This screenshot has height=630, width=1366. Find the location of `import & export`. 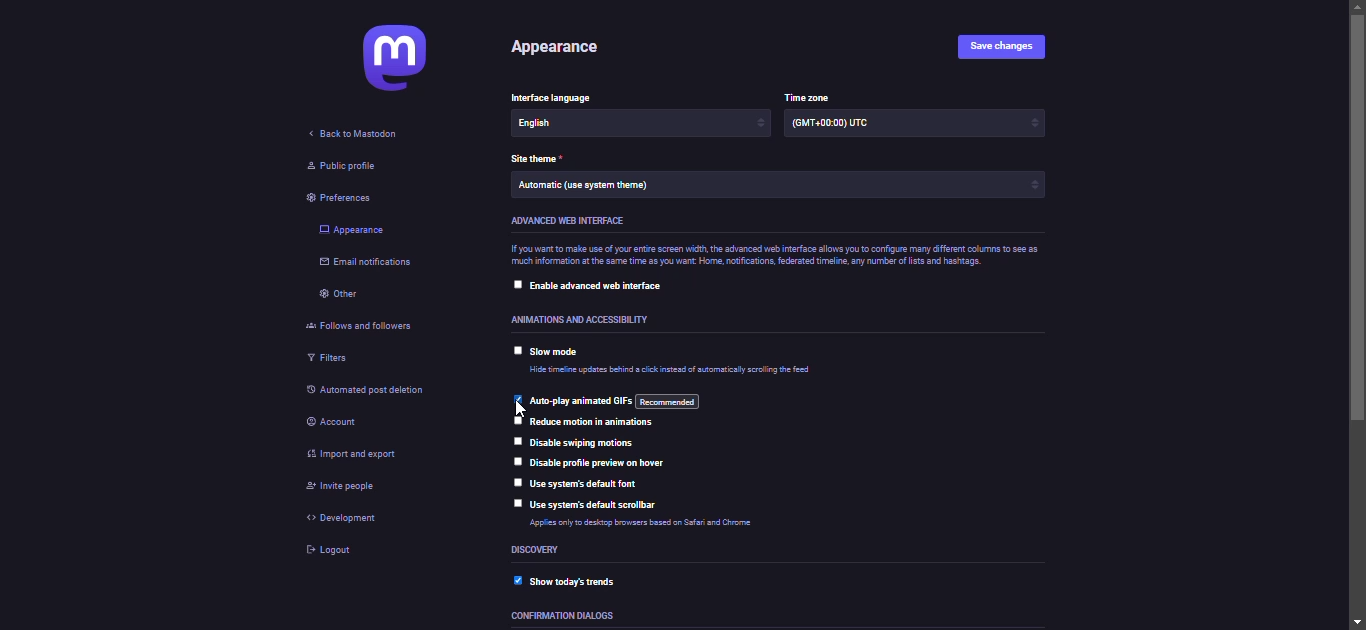

import & export is located at coordinates (366, 455).